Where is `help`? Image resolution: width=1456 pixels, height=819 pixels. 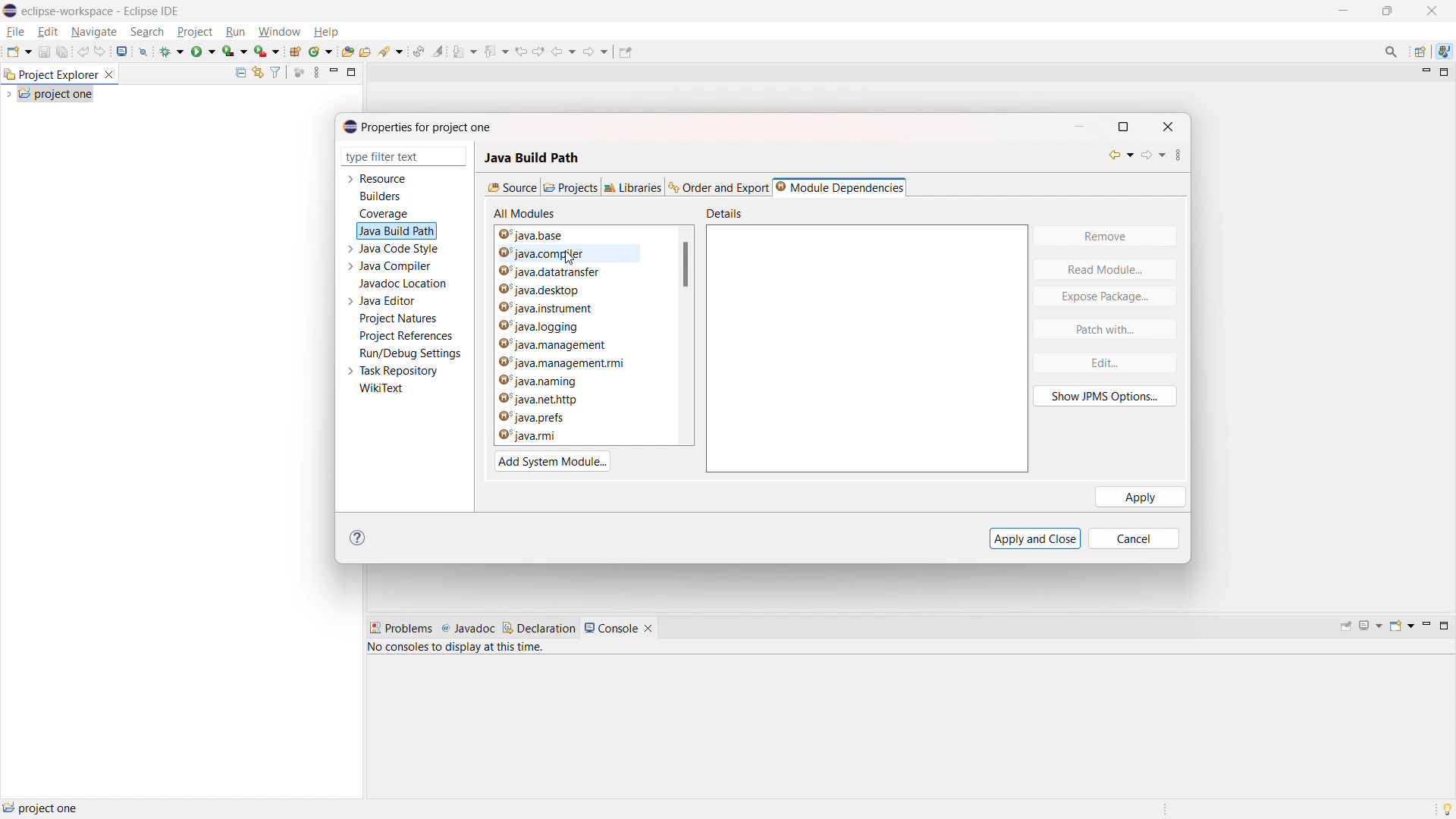
help is located at coordinates (361, 538).